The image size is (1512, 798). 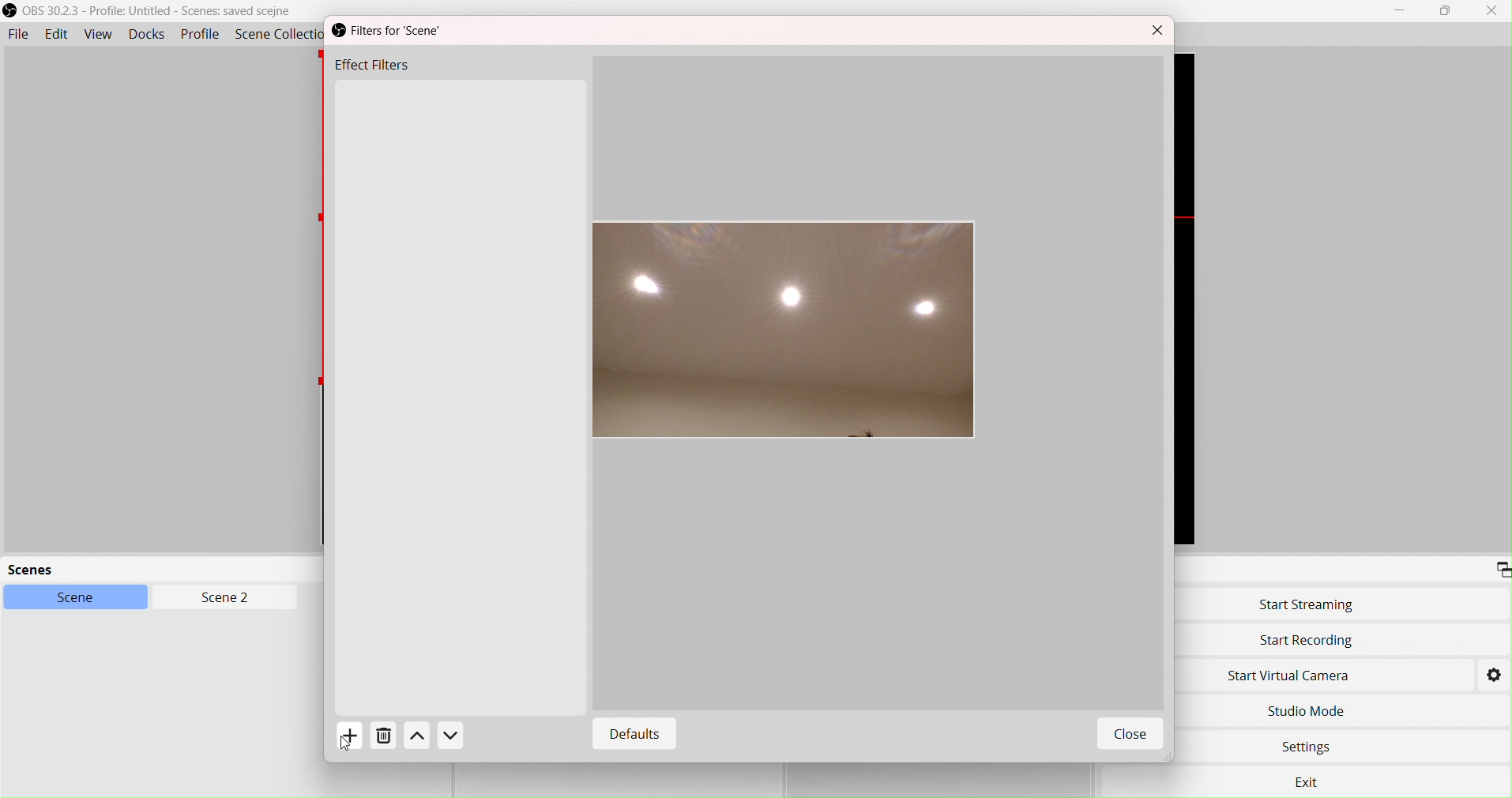 I want to click on Actions, so click(x=434, y=737).